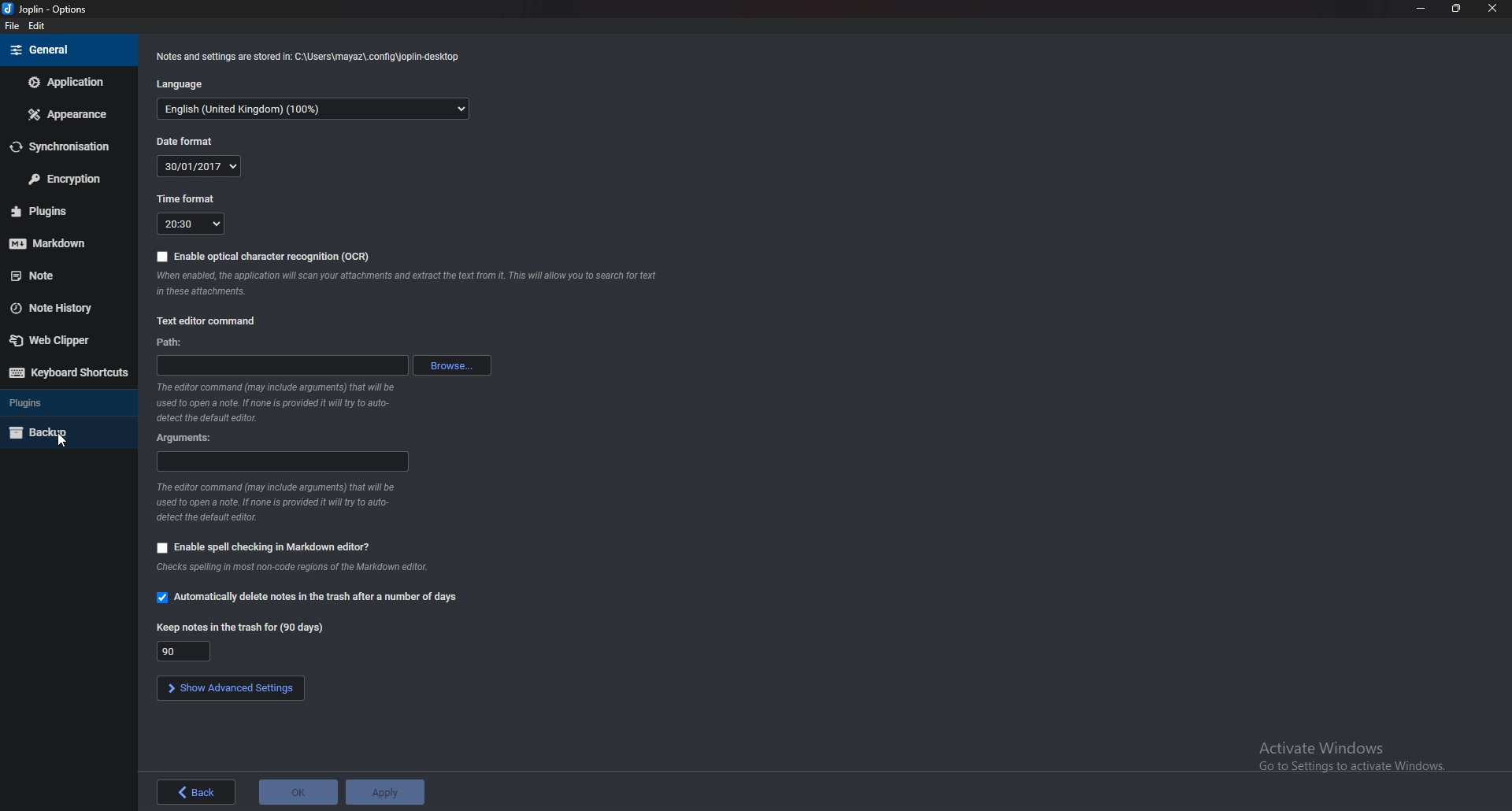  Describe the element at coordinates (64, 432) in the screenshot. I see `Back up` at that location.